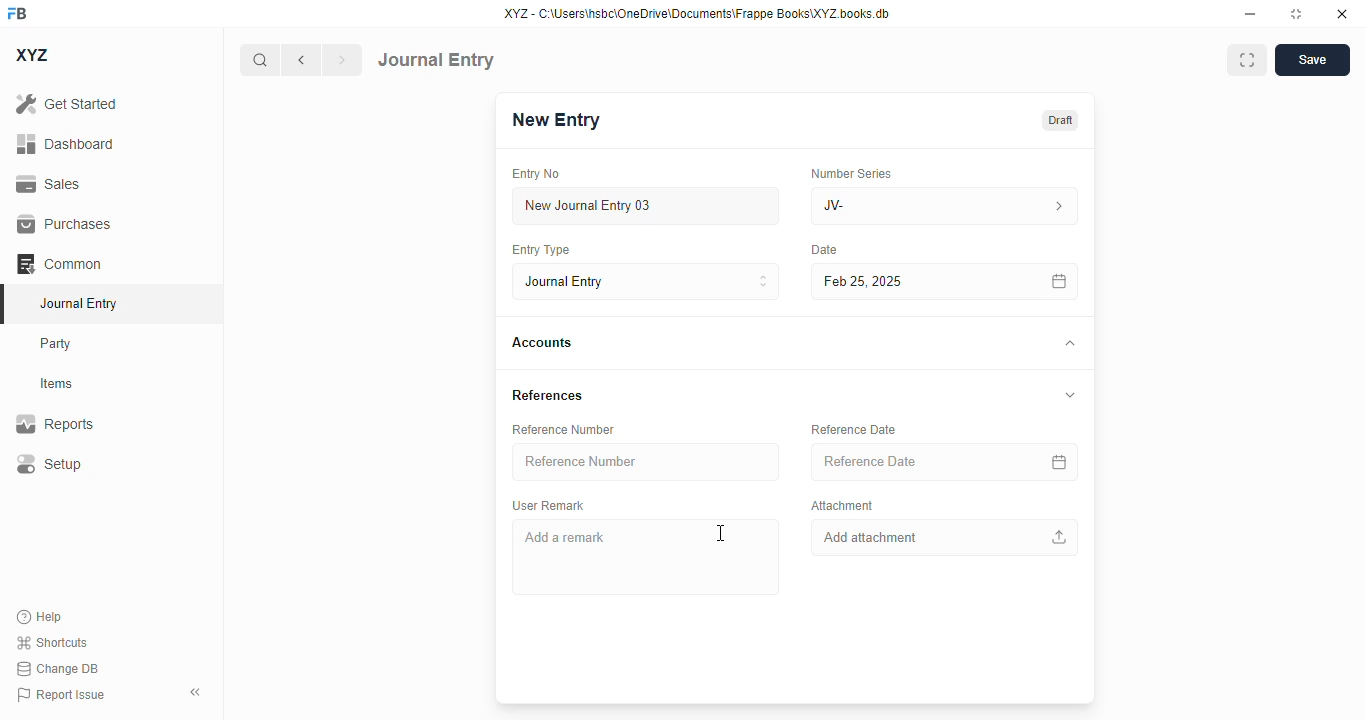 This screenshot has width=1366, height=720. I want to click on journal entry, so click(77, 303).